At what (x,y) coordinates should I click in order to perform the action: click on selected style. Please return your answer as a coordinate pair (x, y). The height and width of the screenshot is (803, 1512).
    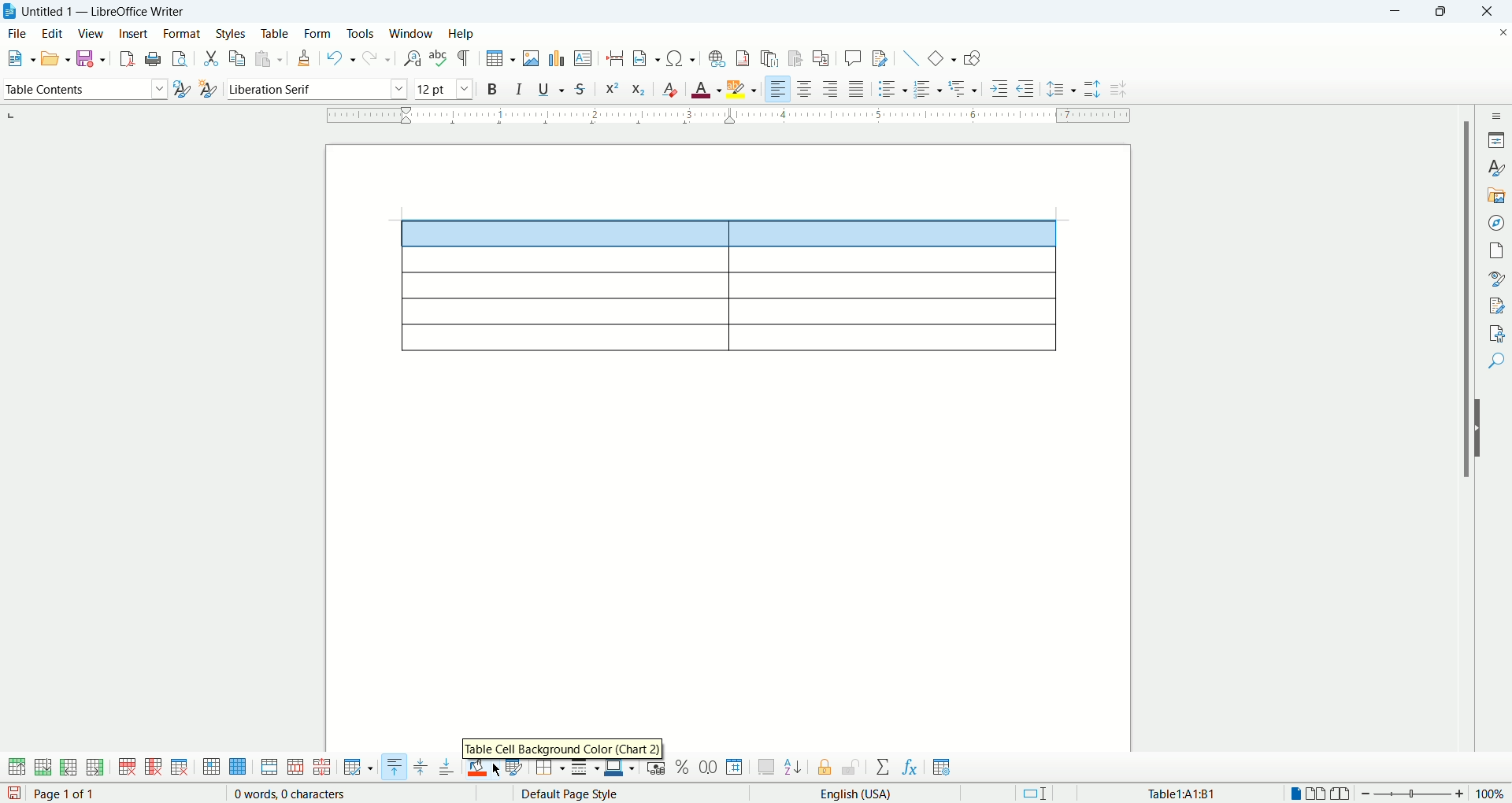
    Looking at the image, I should click on (182, 91).